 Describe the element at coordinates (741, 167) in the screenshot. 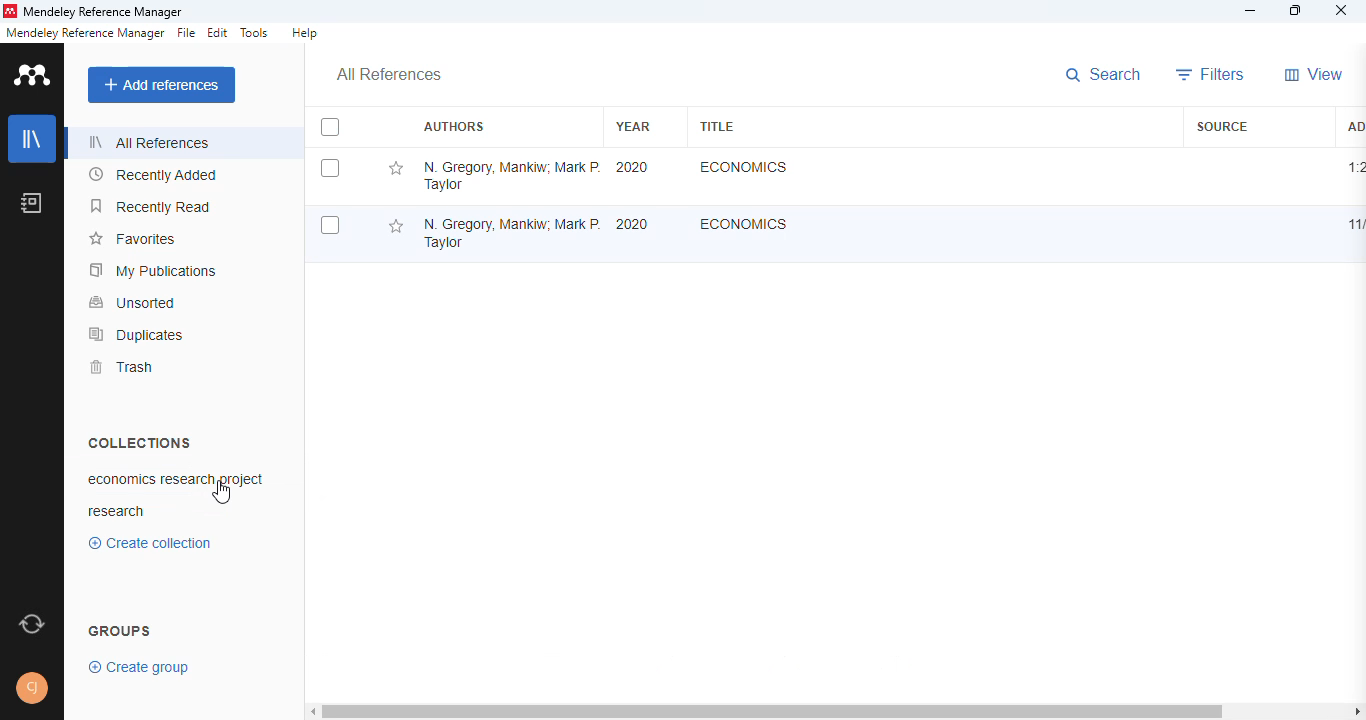

I see `Economics` at that location.